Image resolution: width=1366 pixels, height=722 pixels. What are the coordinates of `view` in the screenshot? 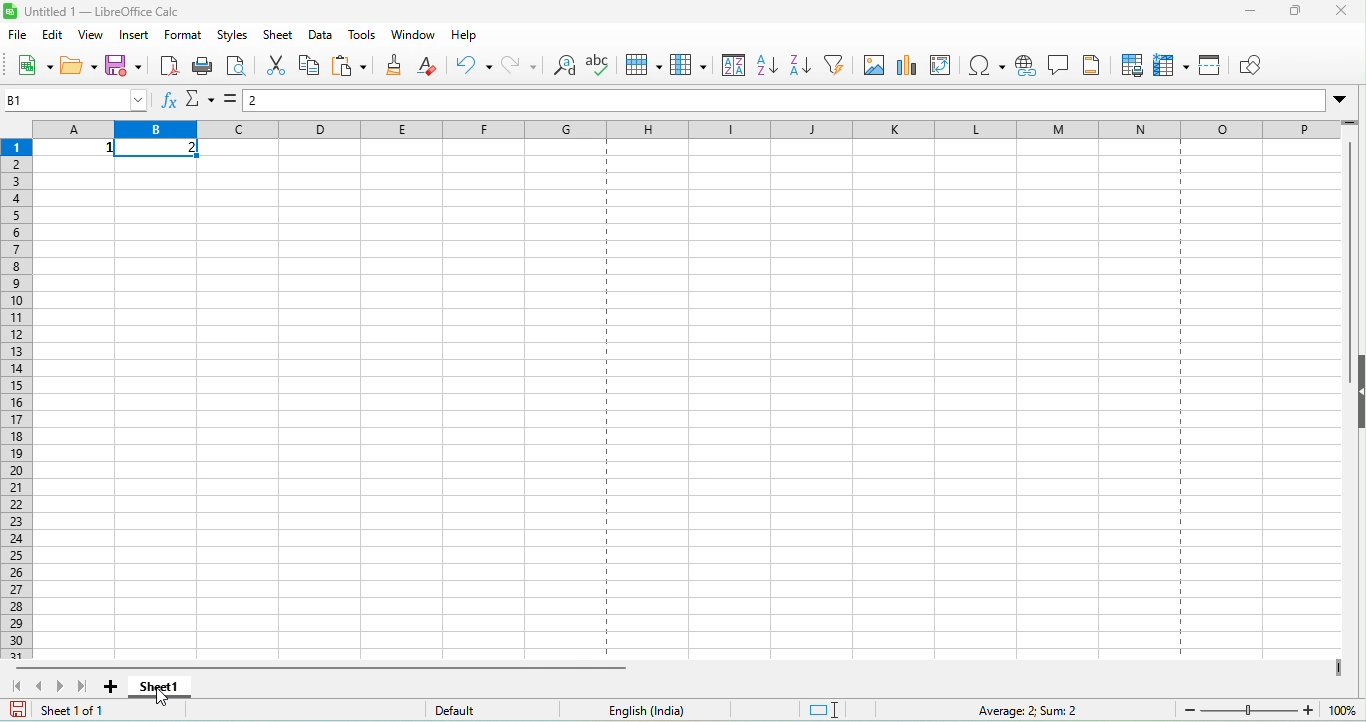 It's located at (93, 35).